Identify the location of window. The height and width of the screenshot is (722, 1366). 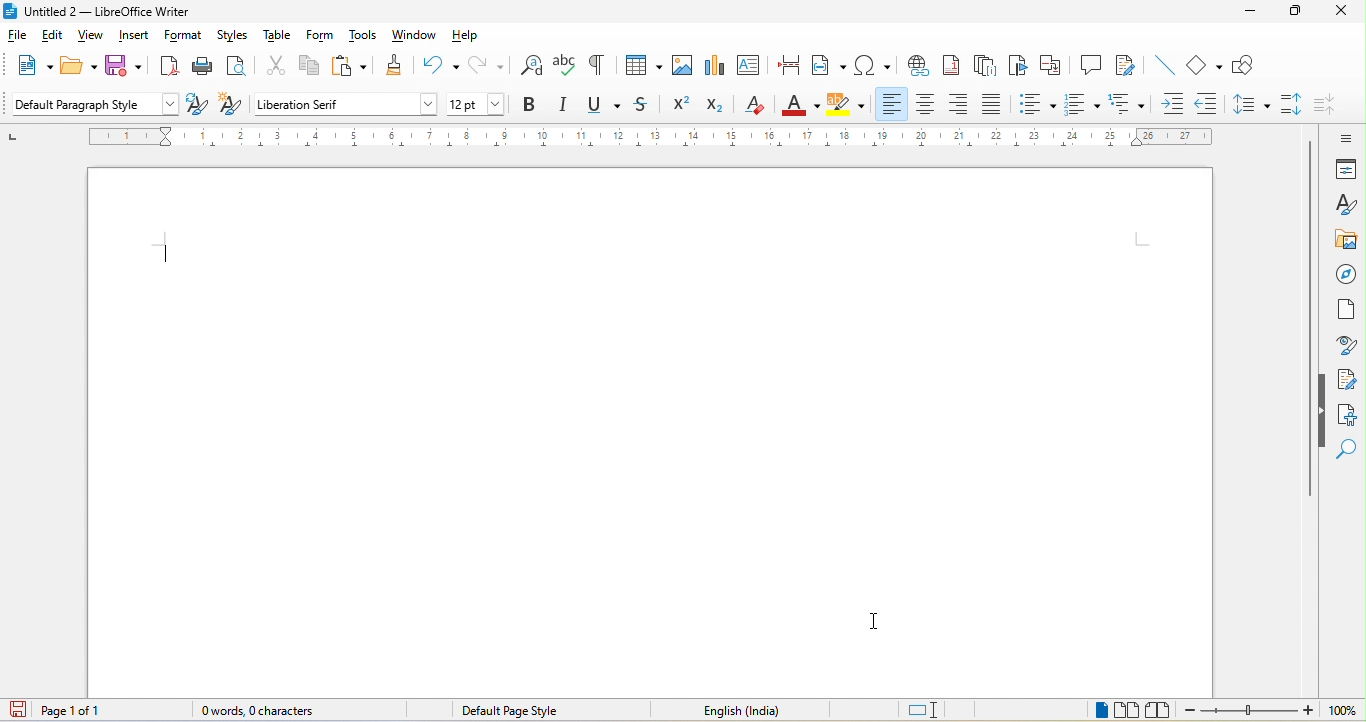
(416, 36).